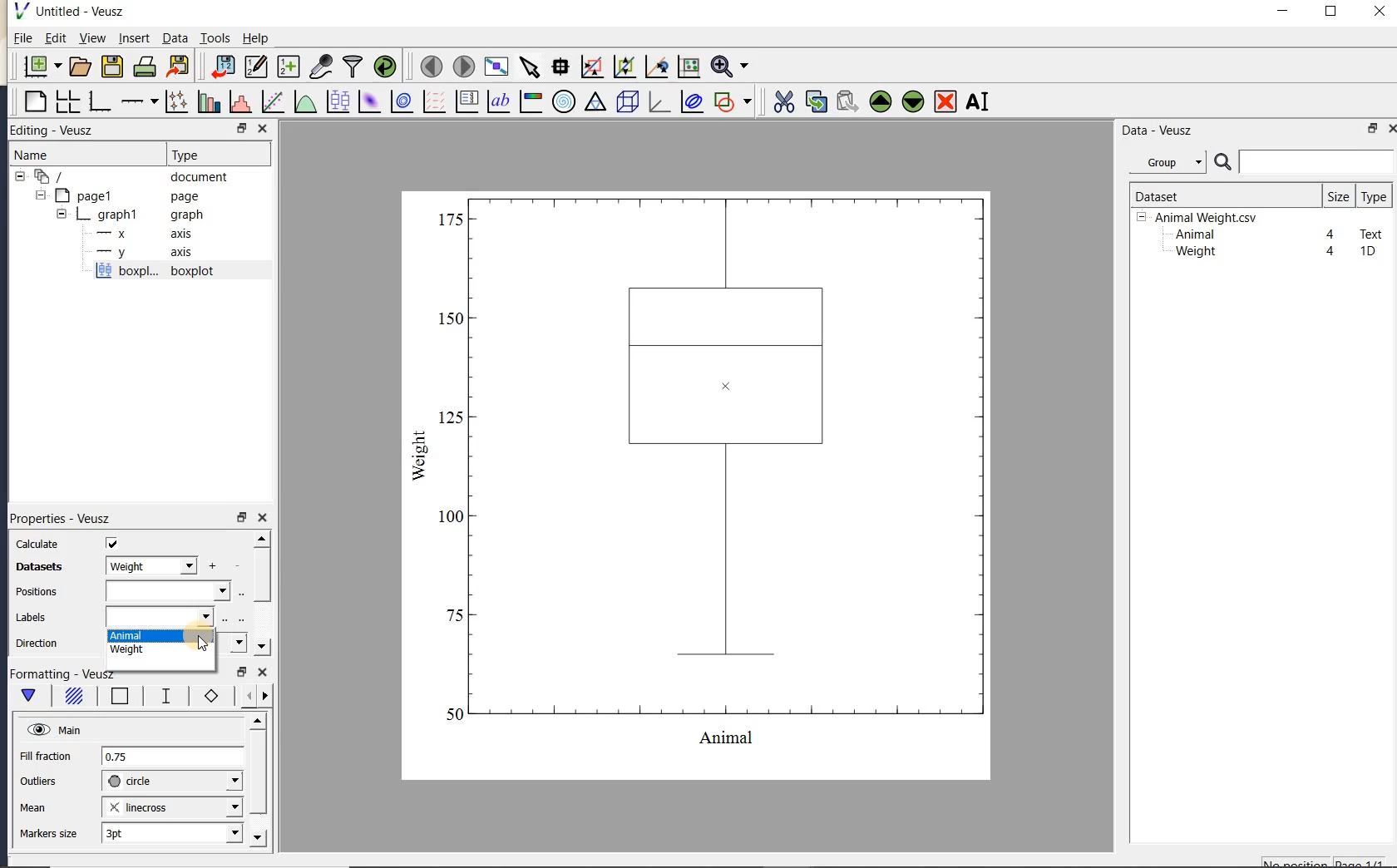 The width and height of the screenshot is (1397, 868). Describe the element at coordinates (591, 67) in the screenshot. I see `click or draw a rectangle to zoom graph axes` at that location.